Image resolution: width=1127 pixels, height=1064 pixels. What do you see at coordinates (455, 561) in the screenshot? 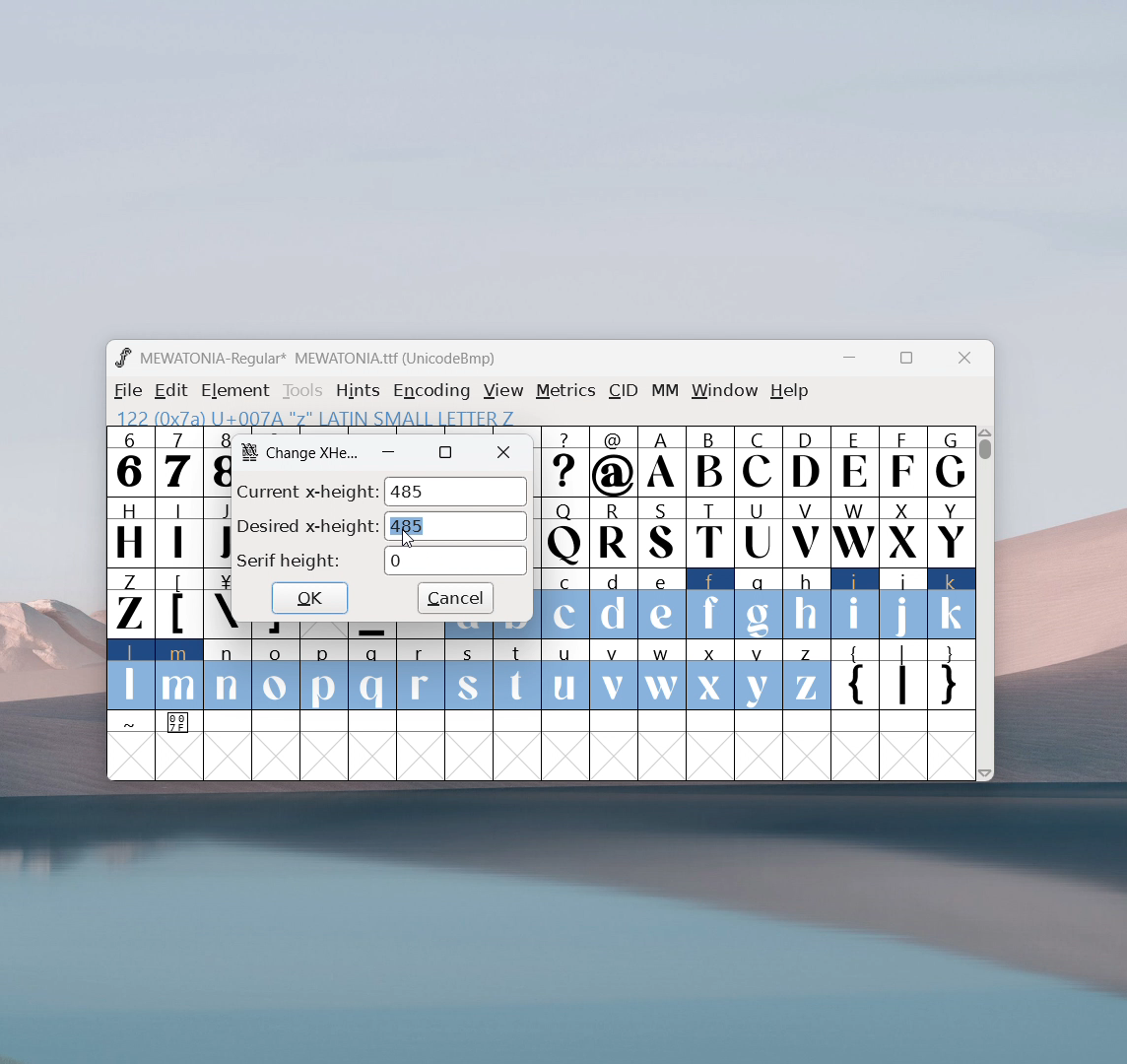
I see `0` at bounding box center [455, 561].